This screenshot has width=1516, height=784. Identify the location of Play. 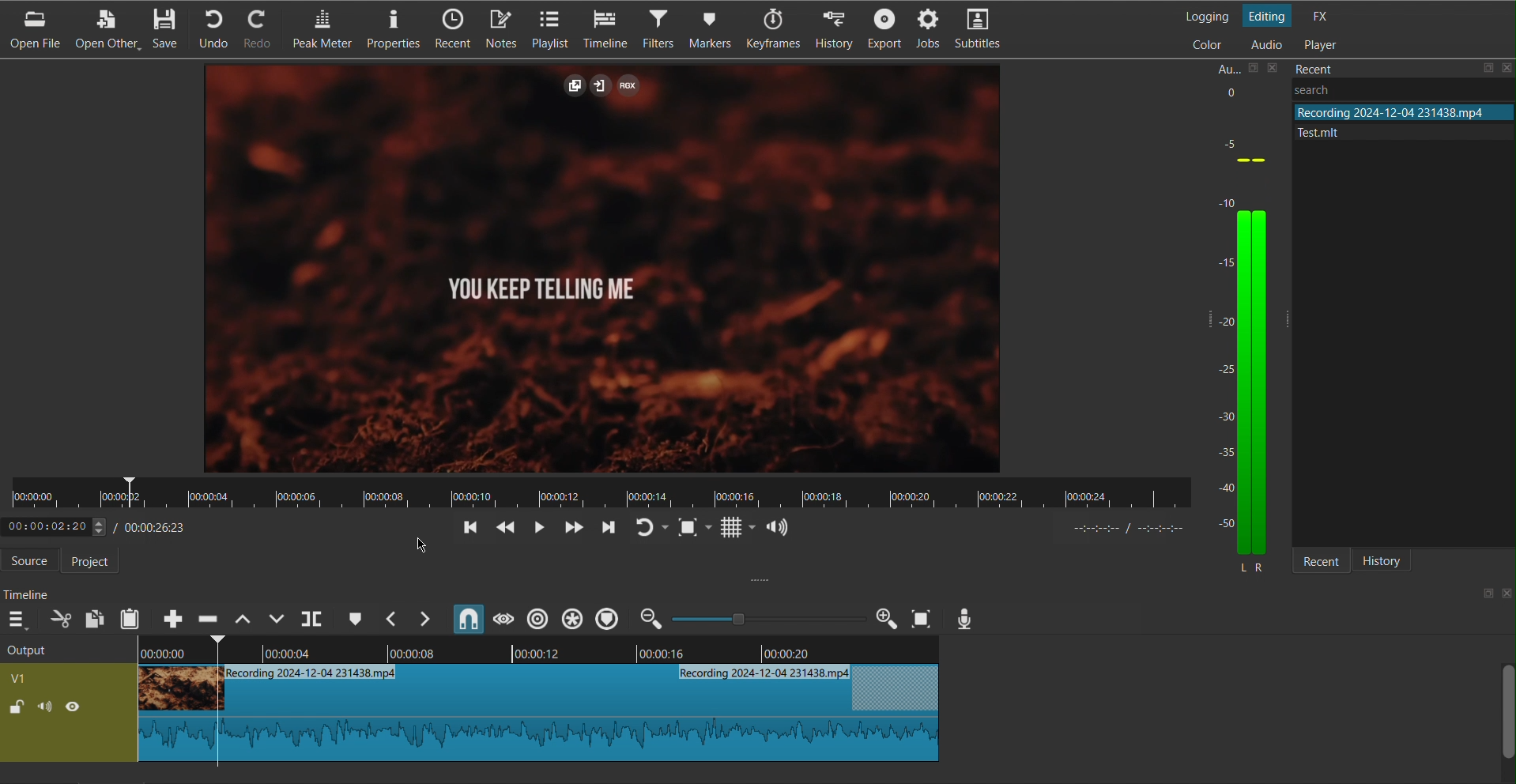
(541, 528).